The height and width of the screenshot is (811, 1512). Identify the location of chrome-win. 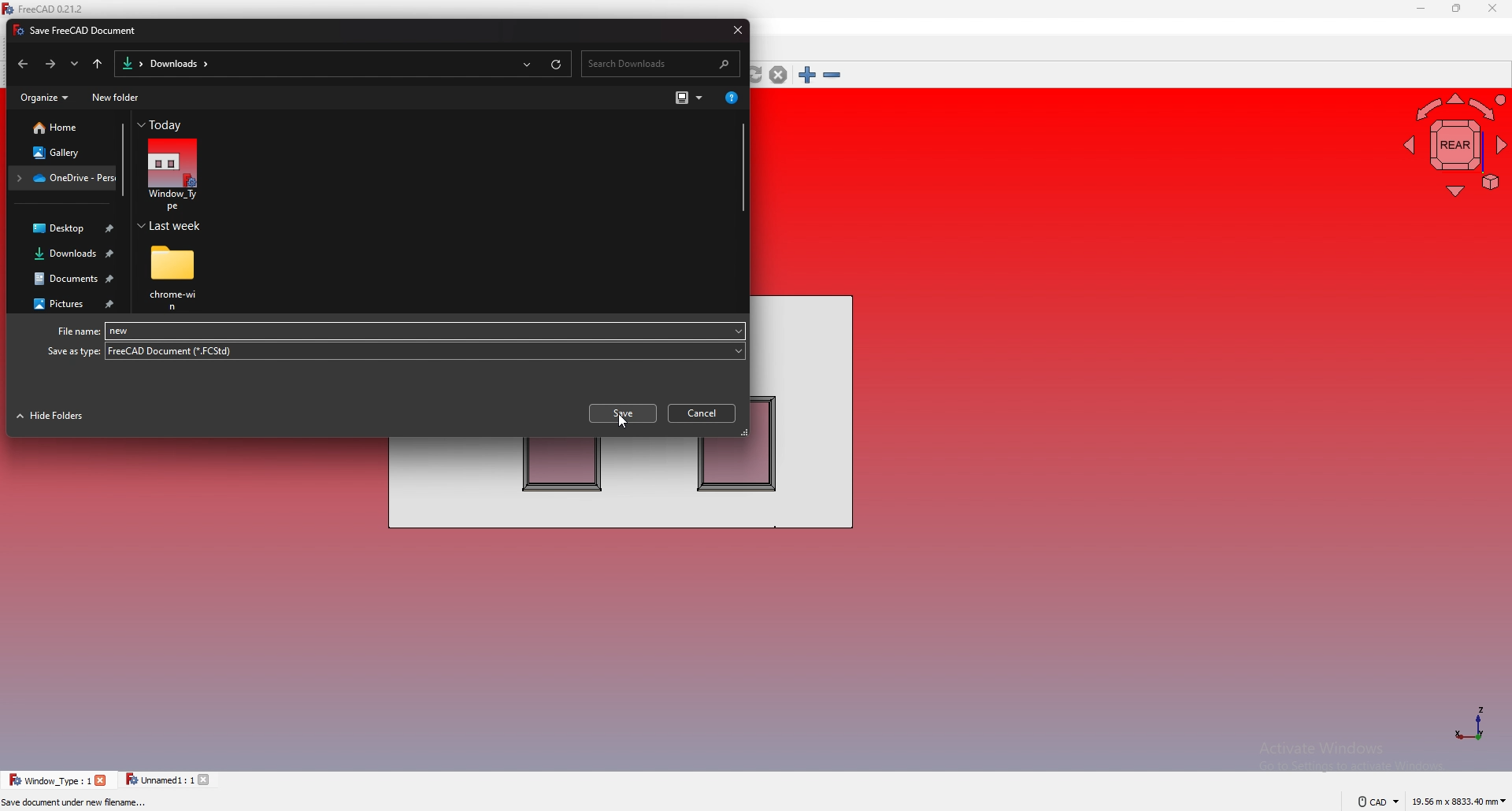
(175, 278).